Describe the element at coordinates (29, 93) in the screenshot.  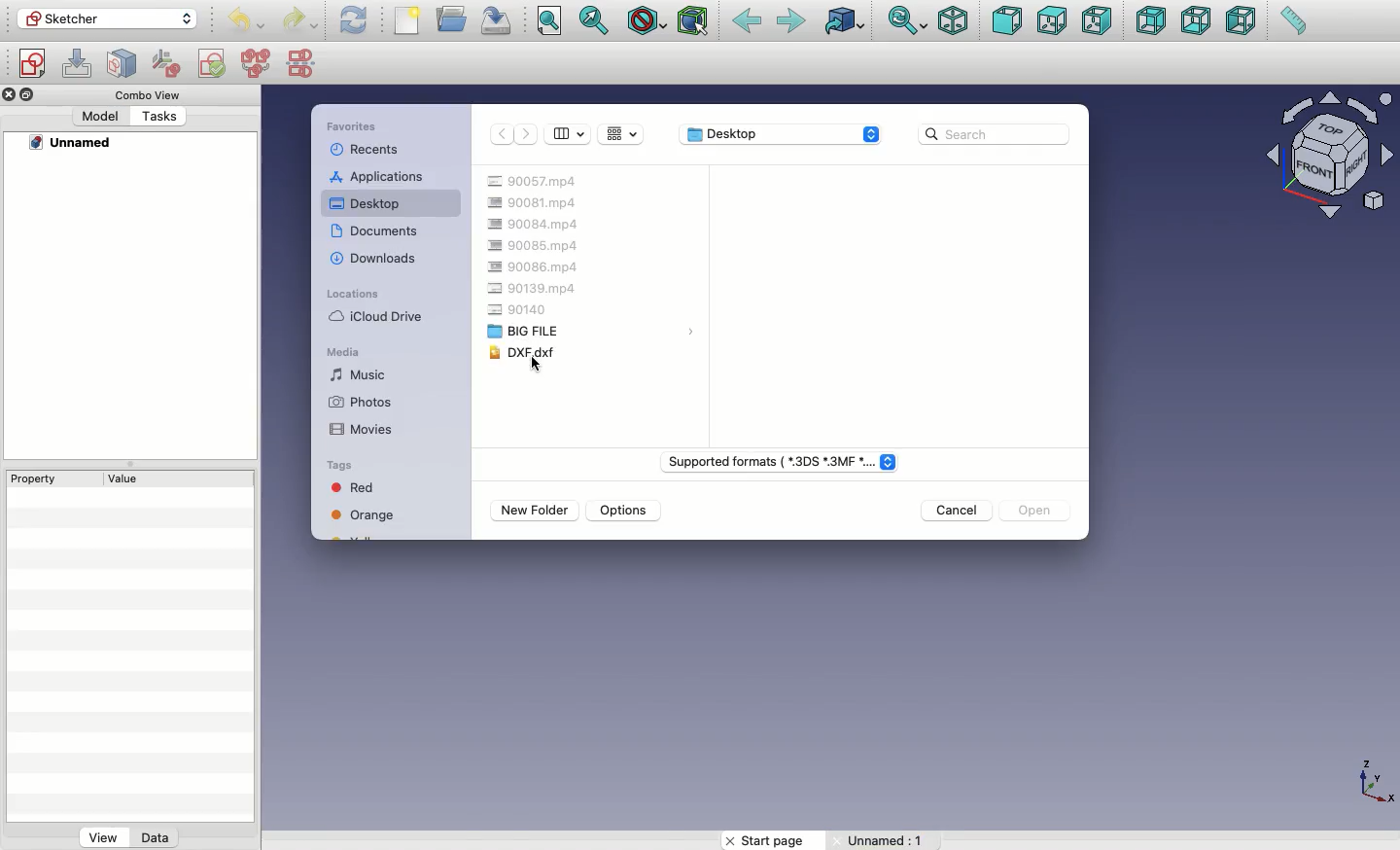
I see `Duplicate` at that location.